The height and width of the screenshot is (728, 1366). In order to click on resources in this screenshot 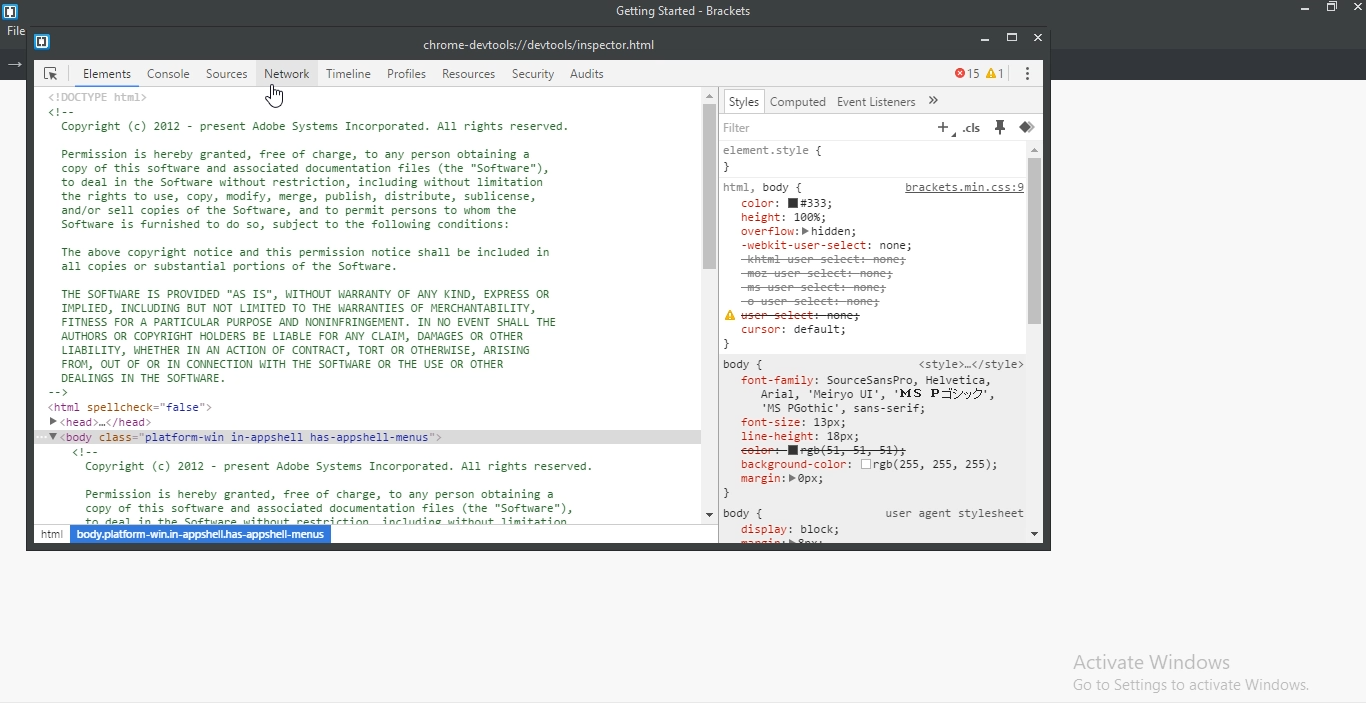, I will do `click(469, 73)`.